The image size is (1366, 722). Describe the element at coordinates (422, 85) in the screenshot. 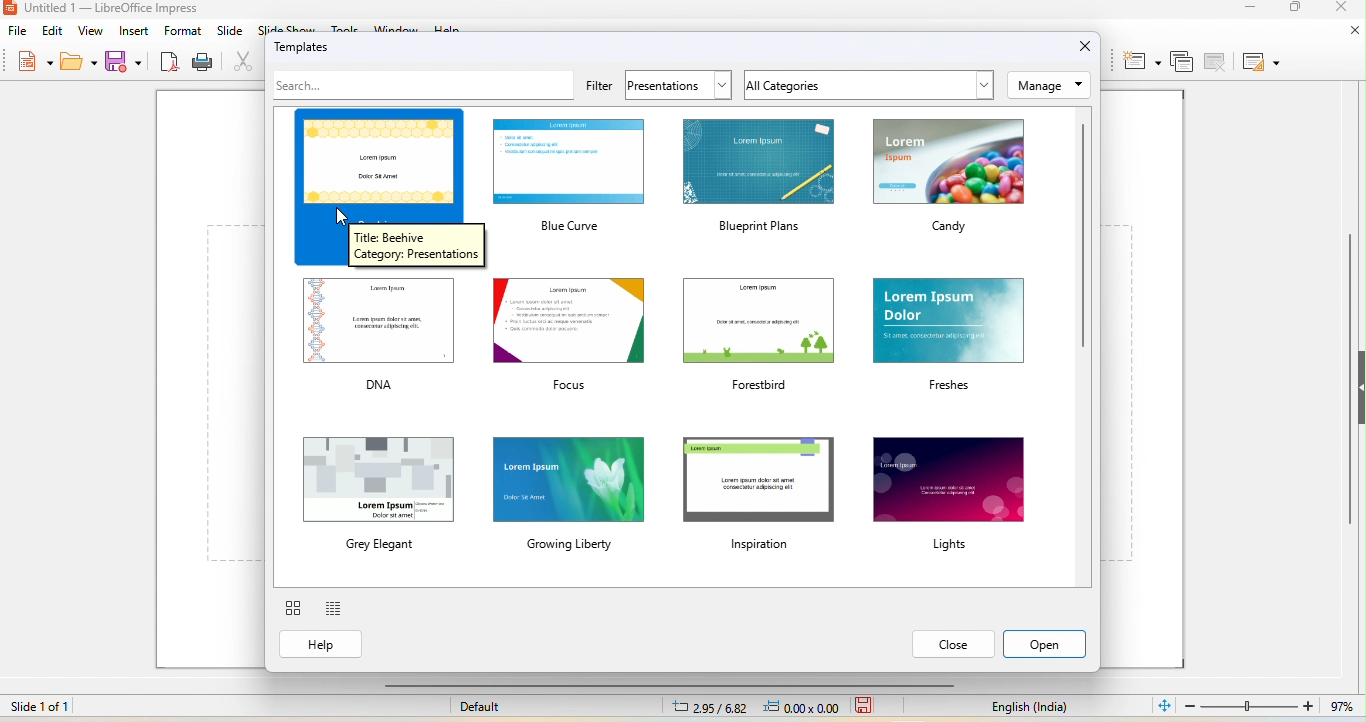

I see `search` at that location.